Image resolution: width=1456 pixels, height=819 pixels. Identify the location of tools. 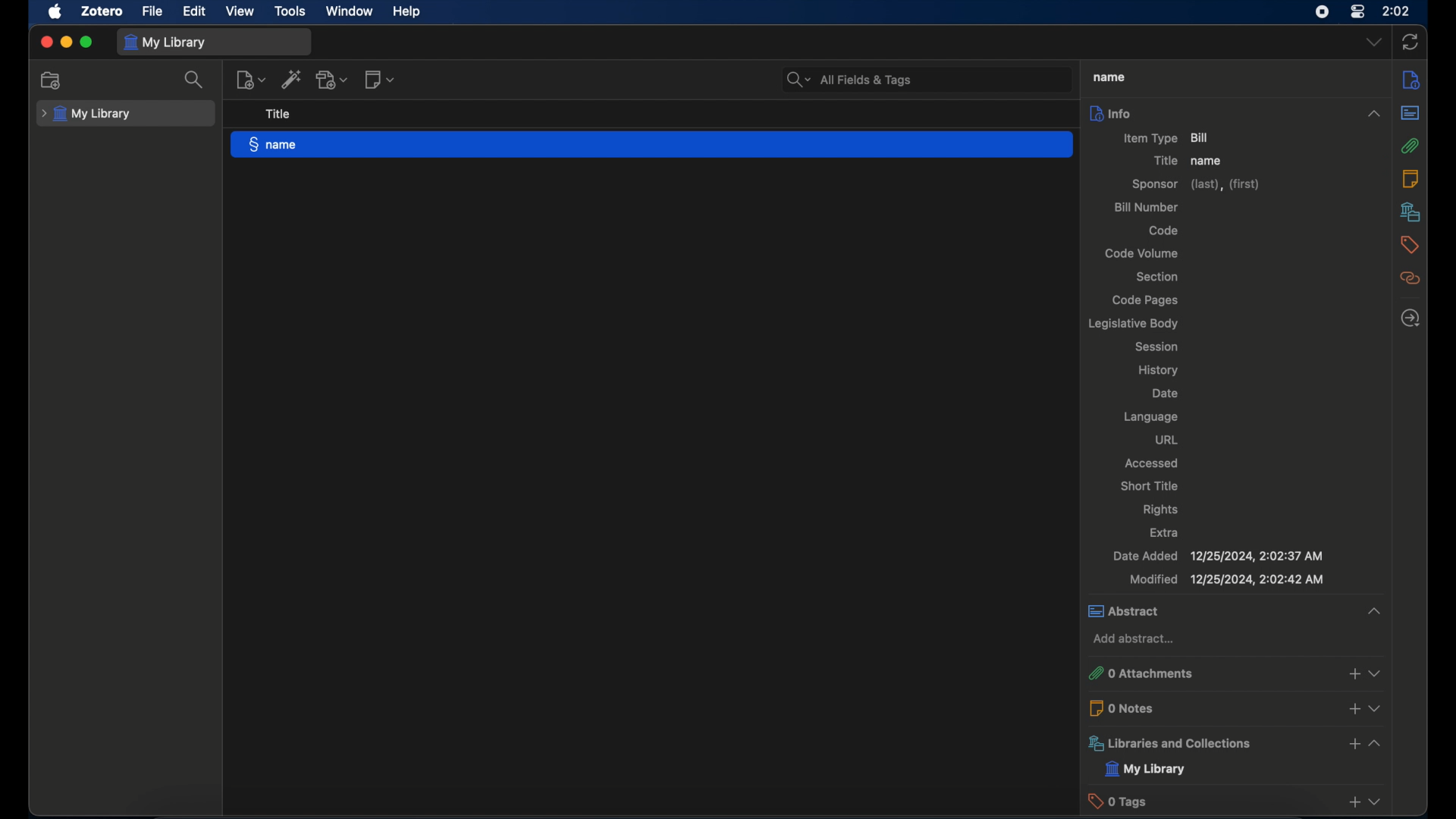
(290, 10).